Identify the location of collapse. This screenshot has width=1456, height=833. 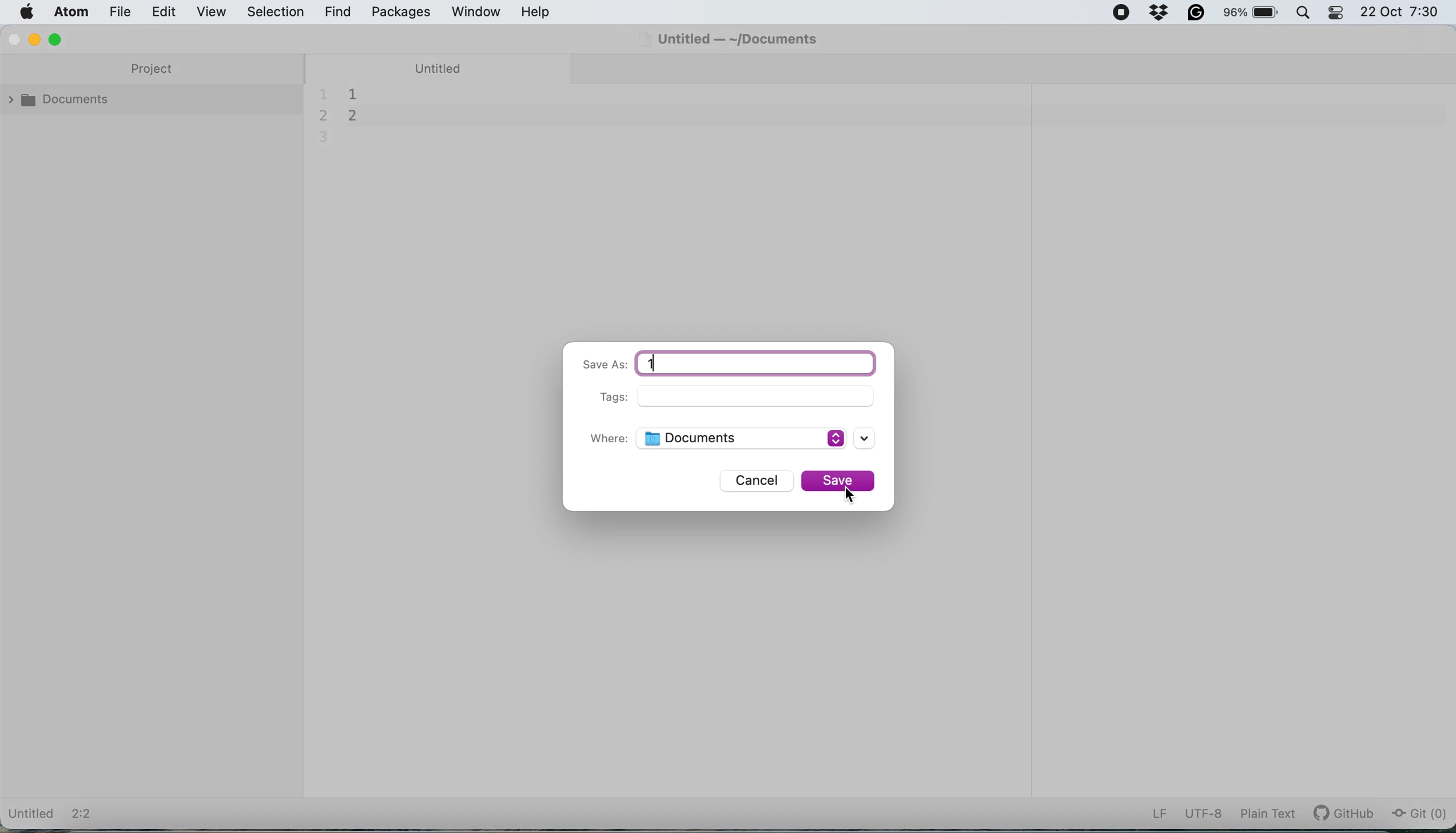
(315, 425).